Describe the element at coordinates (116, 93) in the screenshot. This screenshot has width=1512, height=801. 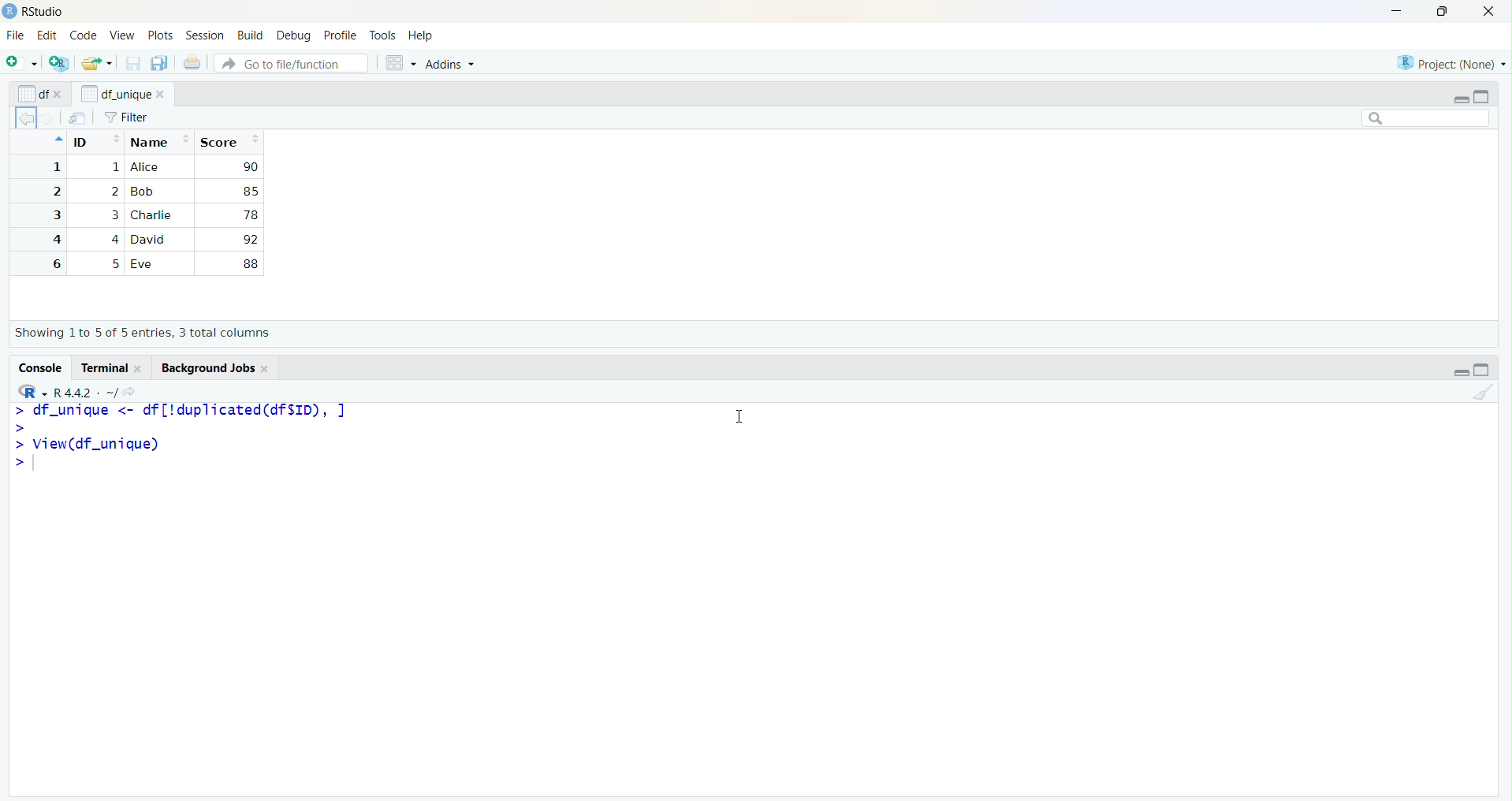
I see `df_unique` at that location.